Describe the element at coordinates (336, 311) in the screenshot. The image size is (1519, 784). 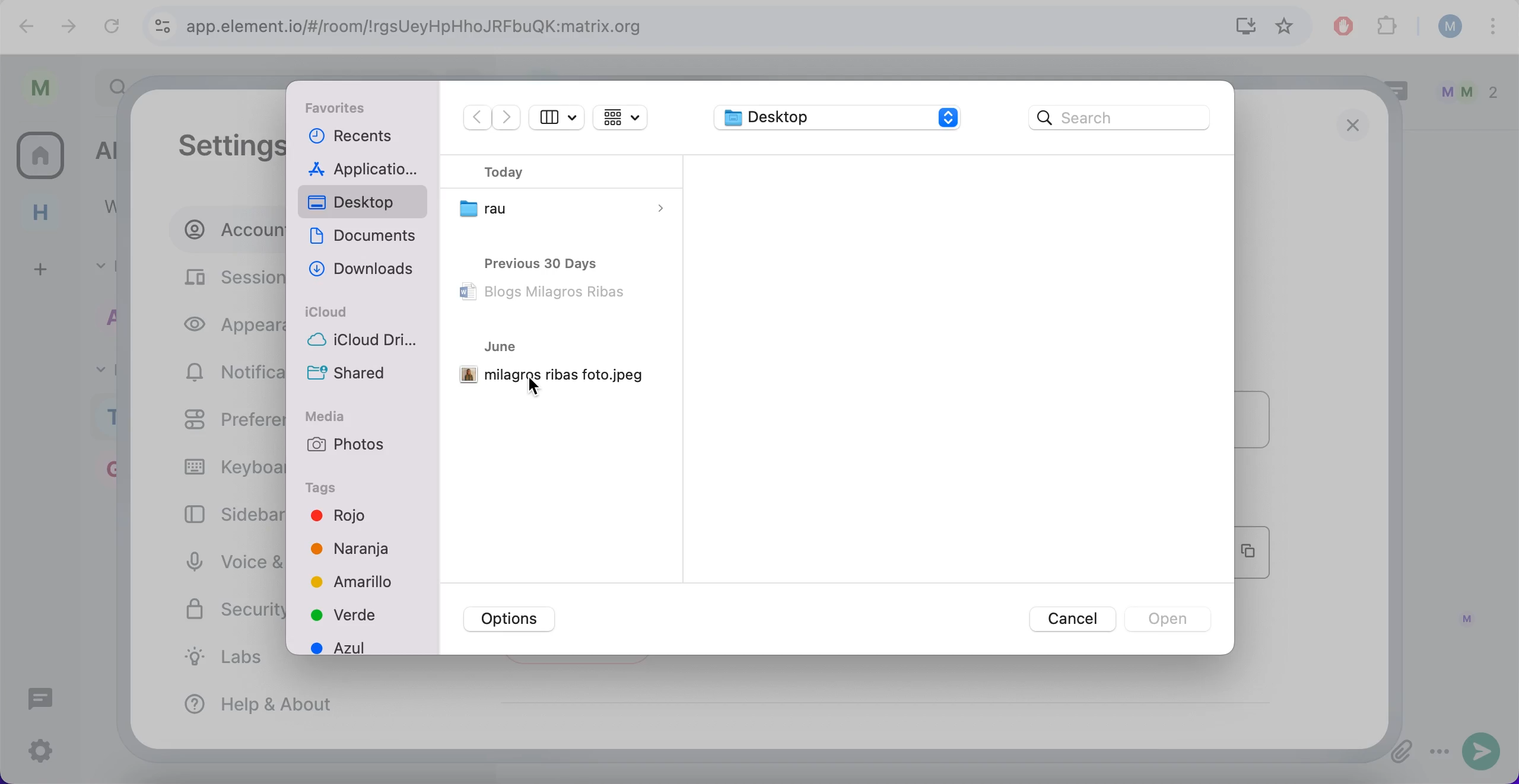
I see `icloud` at that location.